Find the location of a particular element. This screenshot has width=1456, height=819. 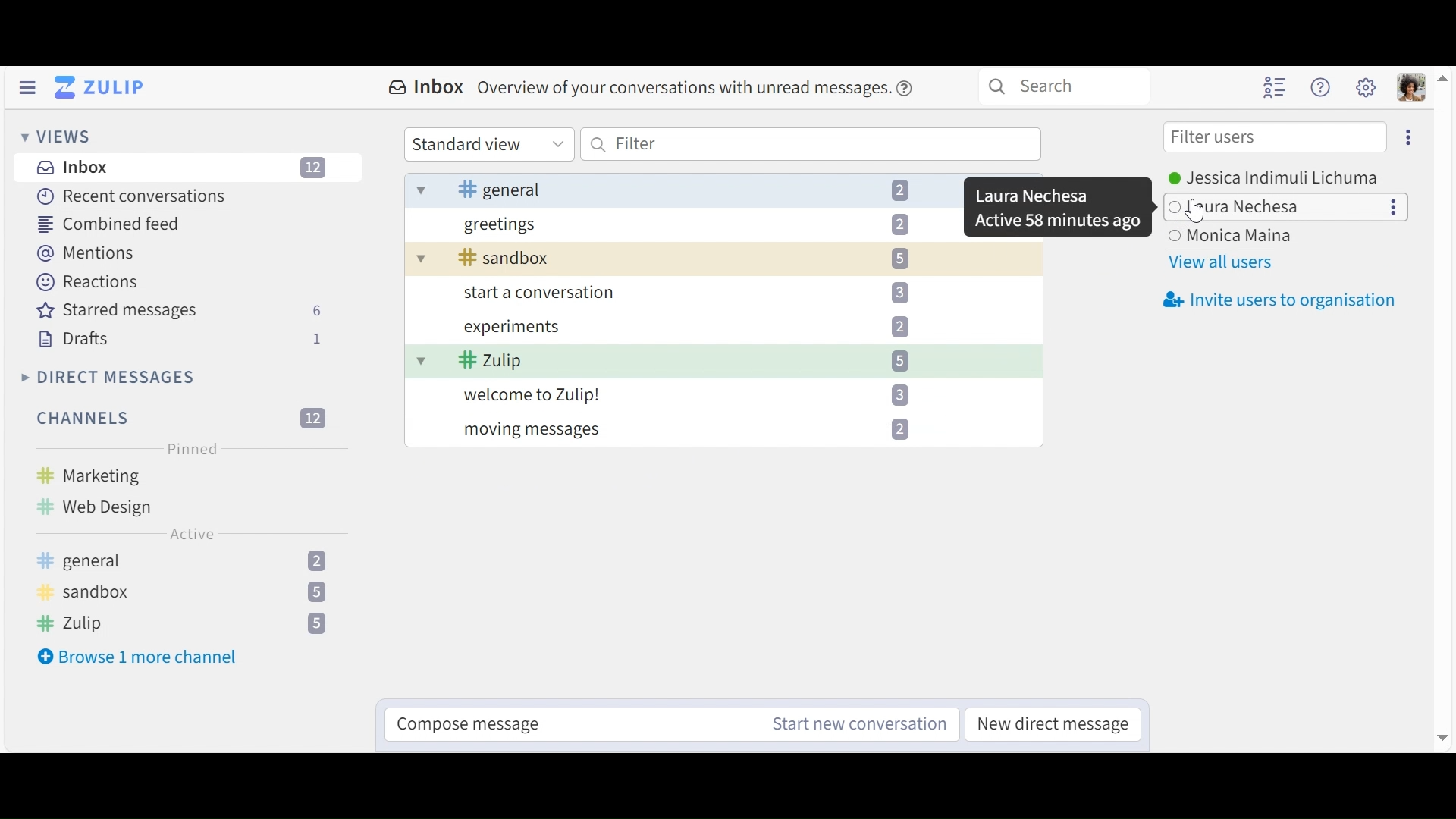

welcome to Zulip! is located at coordinates (704, 396).